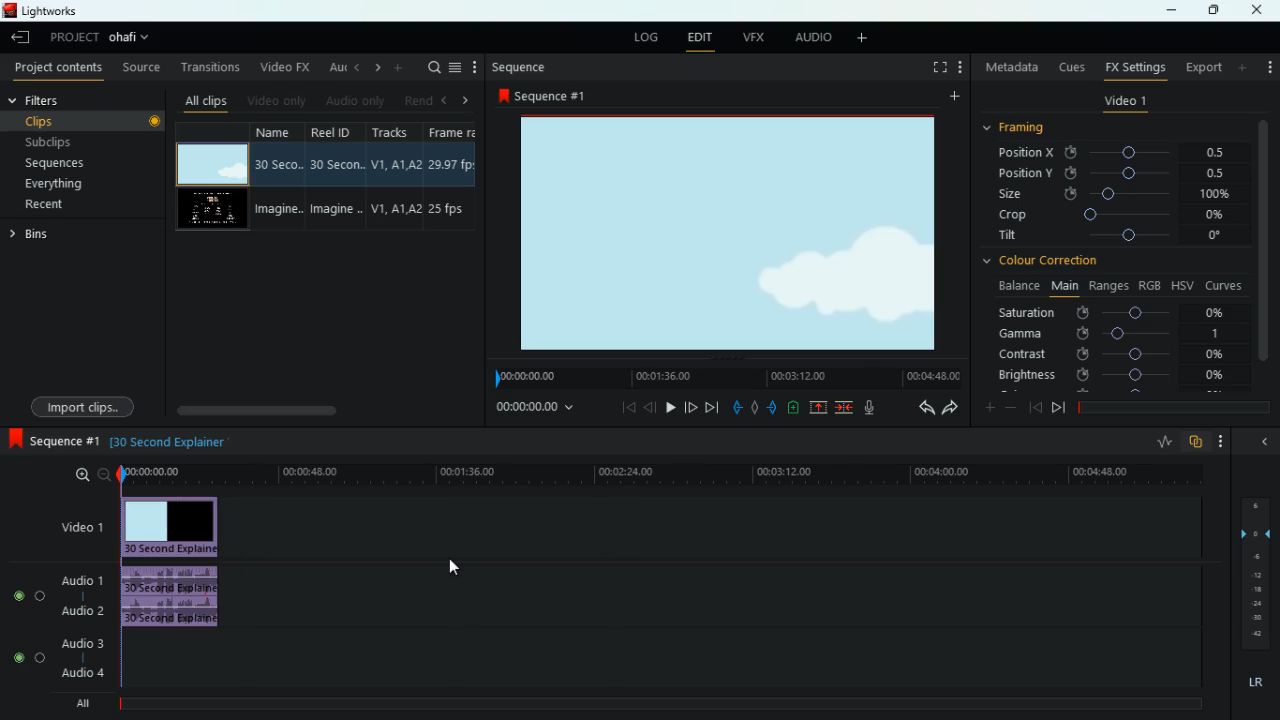 The height and width of the screenshot is (720, 1280). What do you see at coordinates (281, 164) in the screenshot?
I see `30 Seco..` at bounding box center [281, 164].